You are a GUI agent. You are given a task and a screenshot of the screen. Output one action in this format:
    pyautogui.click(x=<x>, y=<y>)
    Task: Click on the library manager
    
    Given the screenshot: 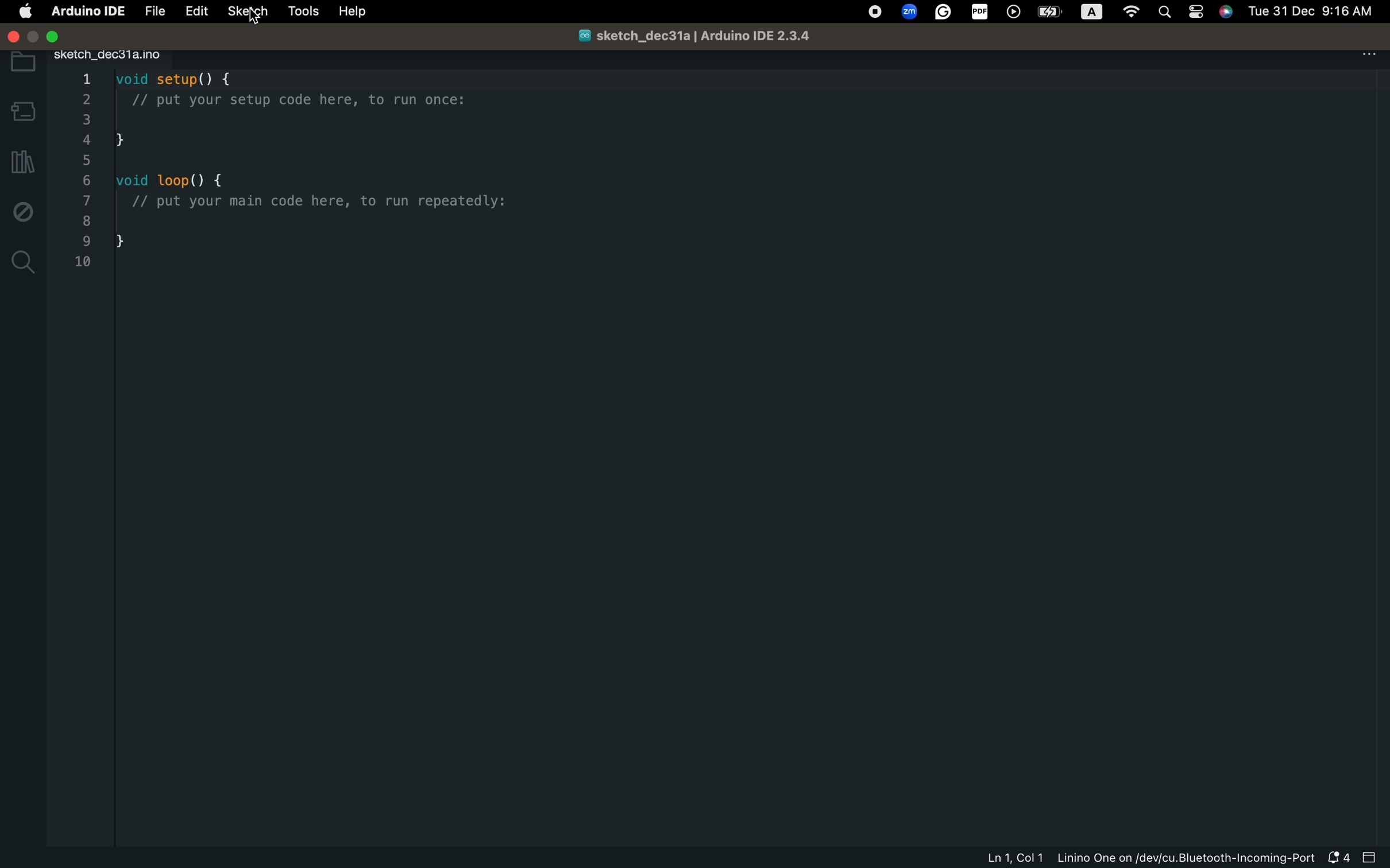 What is the action you would take?
    pyautogui.click(x=22, y=164)
    